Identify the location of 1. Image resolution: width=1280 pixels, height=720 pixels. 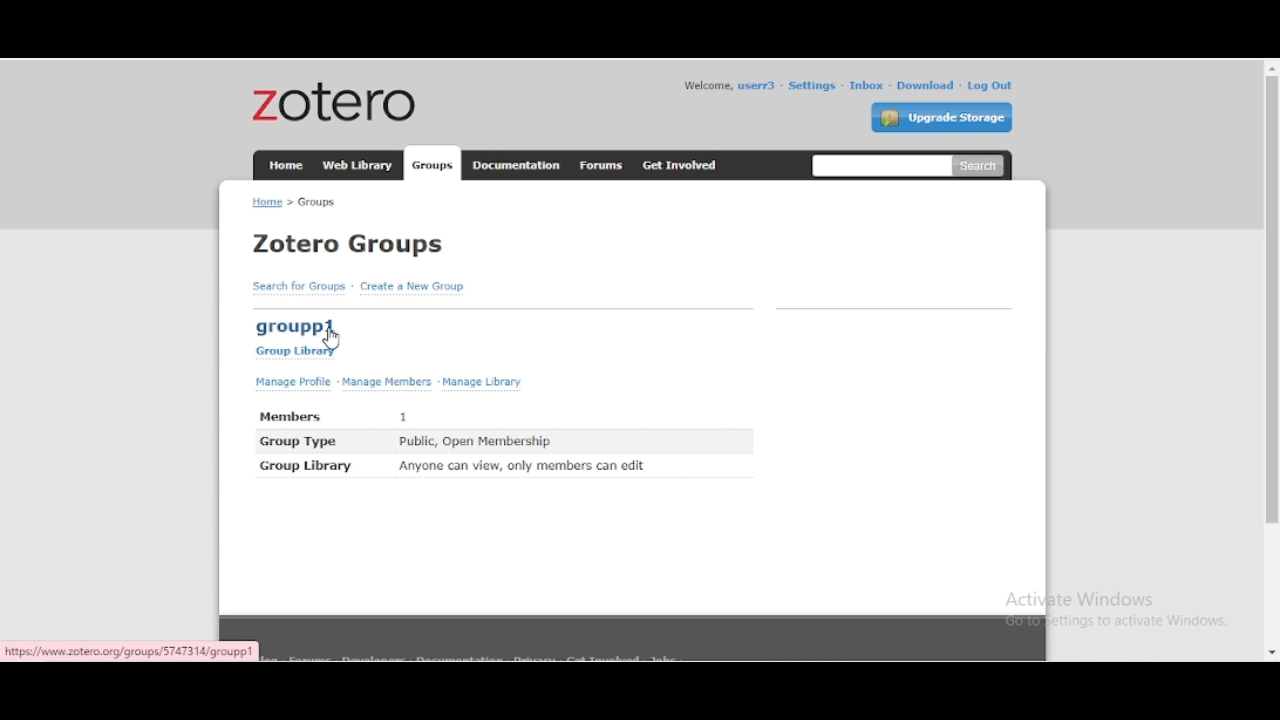
(403, 417).